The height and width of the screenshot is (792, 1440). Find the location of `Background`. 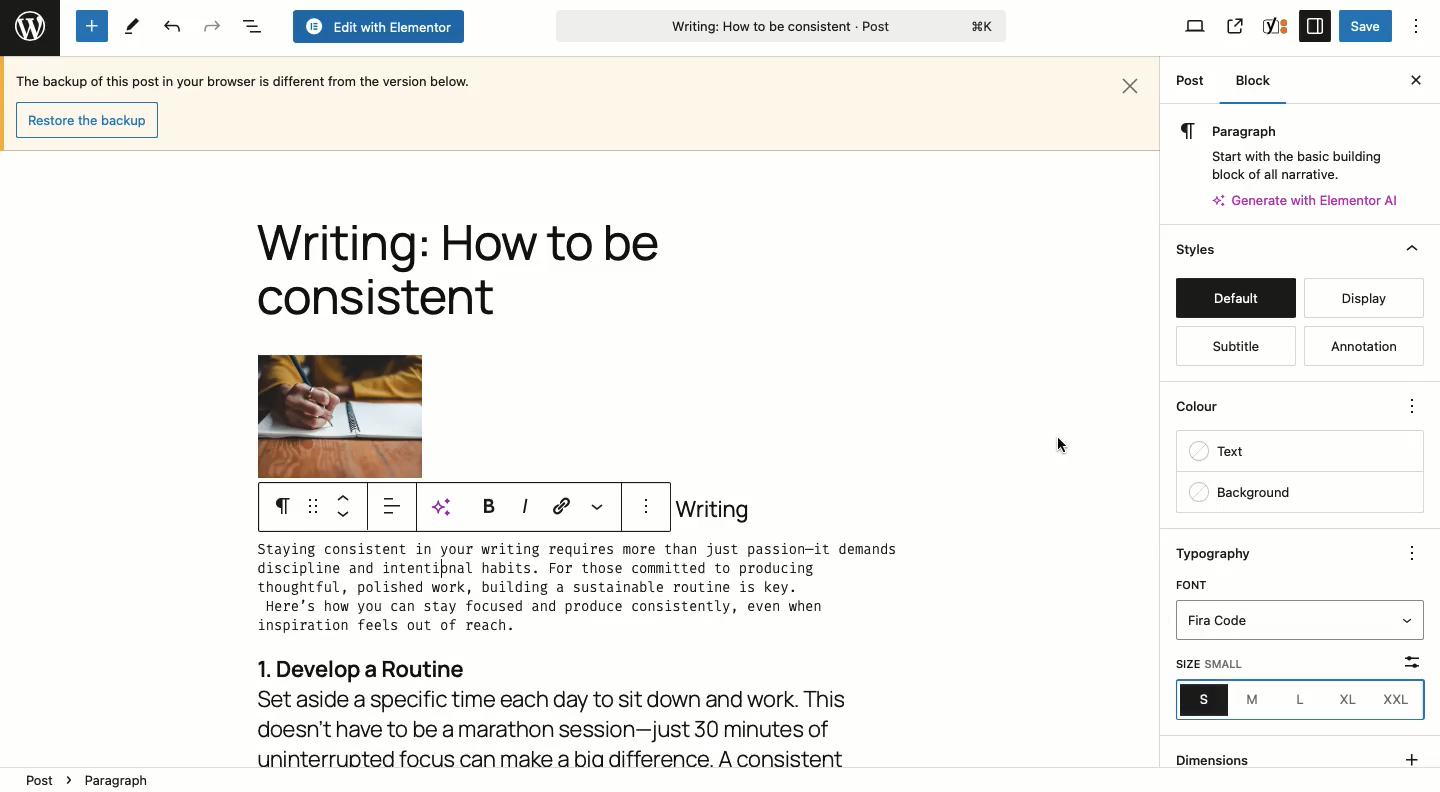

Background is located at coordinates (1298, 492).